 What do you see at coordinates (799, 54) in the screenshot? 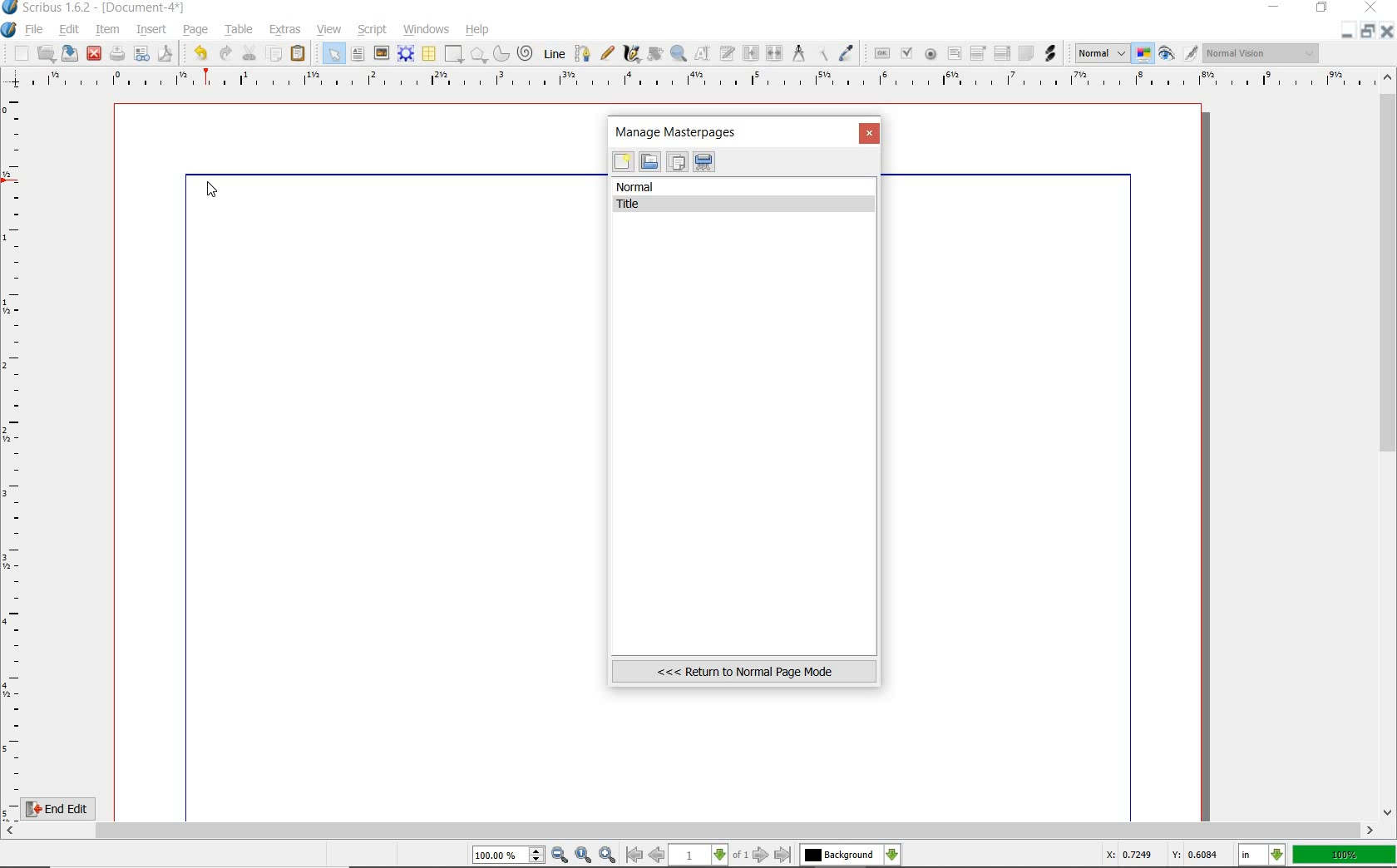
I see `measurements` at bounding box center [799, 54].